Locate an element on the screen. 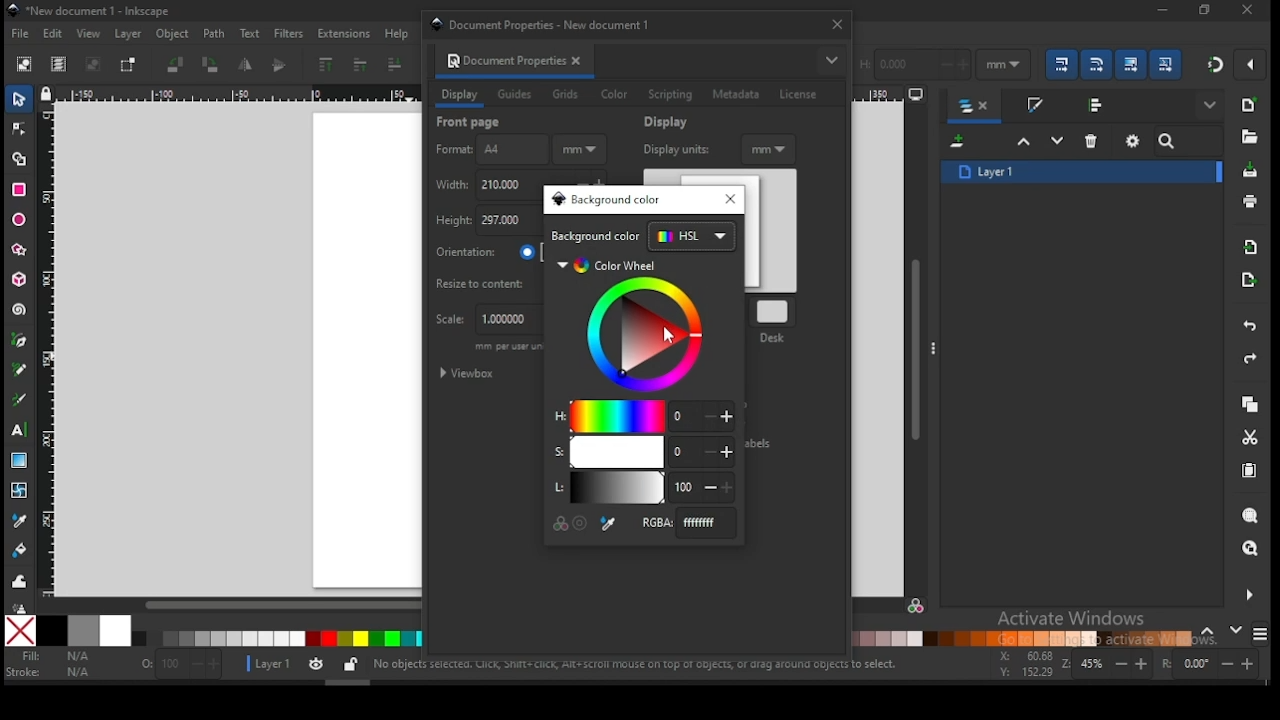 This screenshot has width=1280, height=720. view is located at coordinates (91, 34).